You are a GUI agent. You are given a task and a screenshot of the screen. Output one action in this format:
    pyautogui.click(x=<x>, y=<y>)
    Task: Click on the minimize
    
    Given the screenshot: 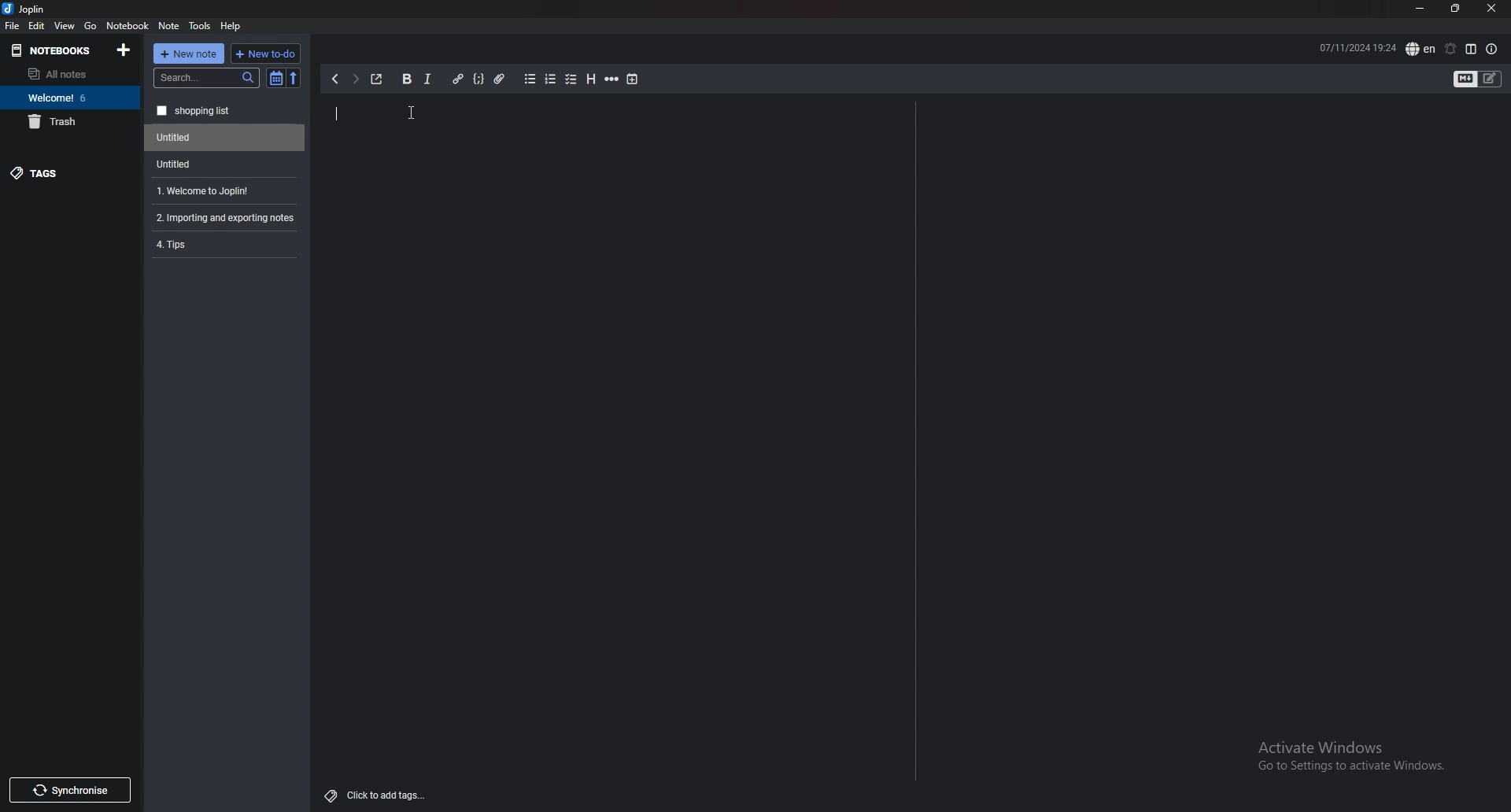 What is the action you would take?
    pyautogui.click(x=1420, y=9)
    